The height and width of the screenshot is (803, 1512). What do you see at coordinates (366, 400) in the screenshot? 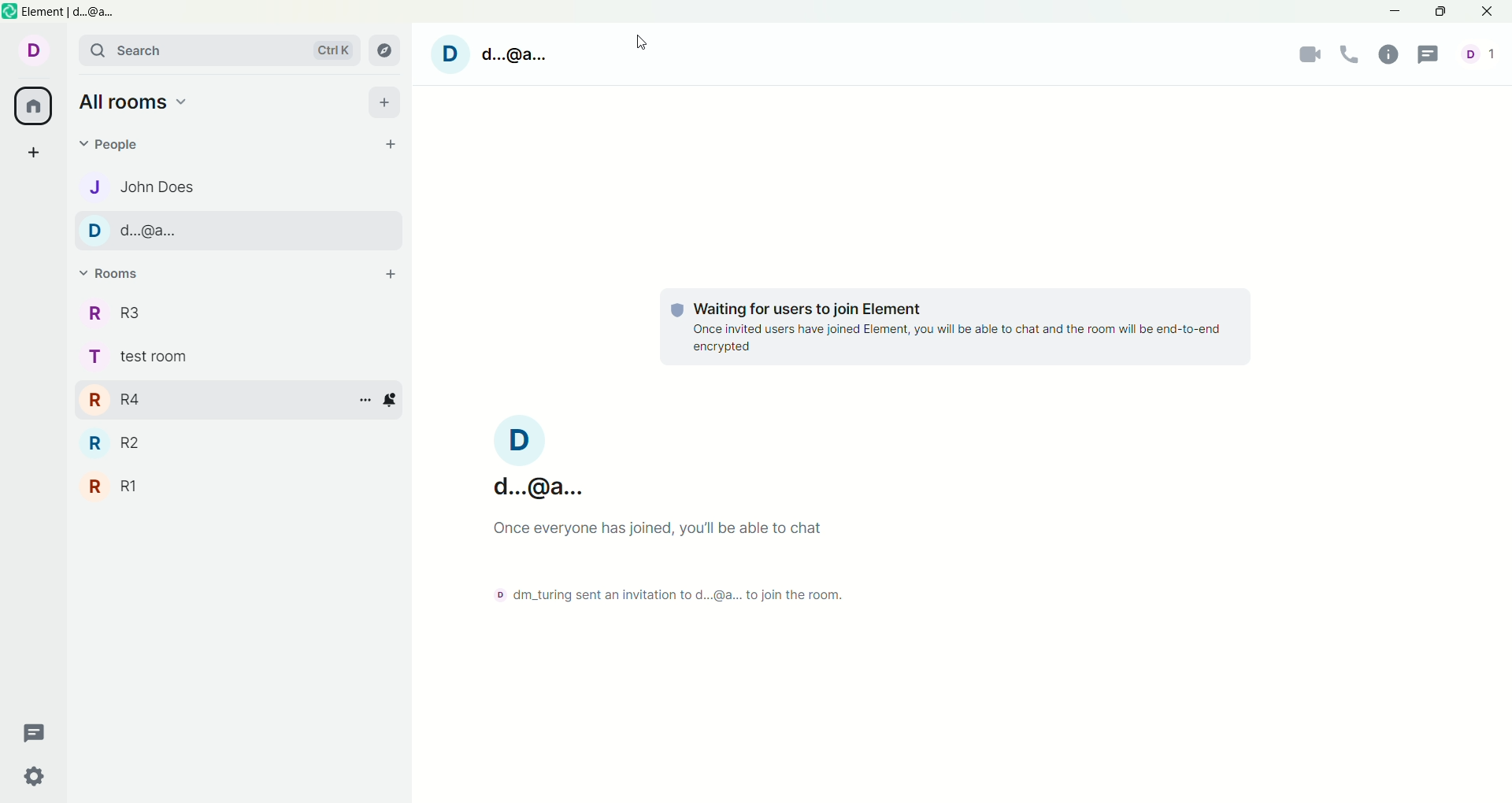
I see `room options` at bounding box center [366, 400].